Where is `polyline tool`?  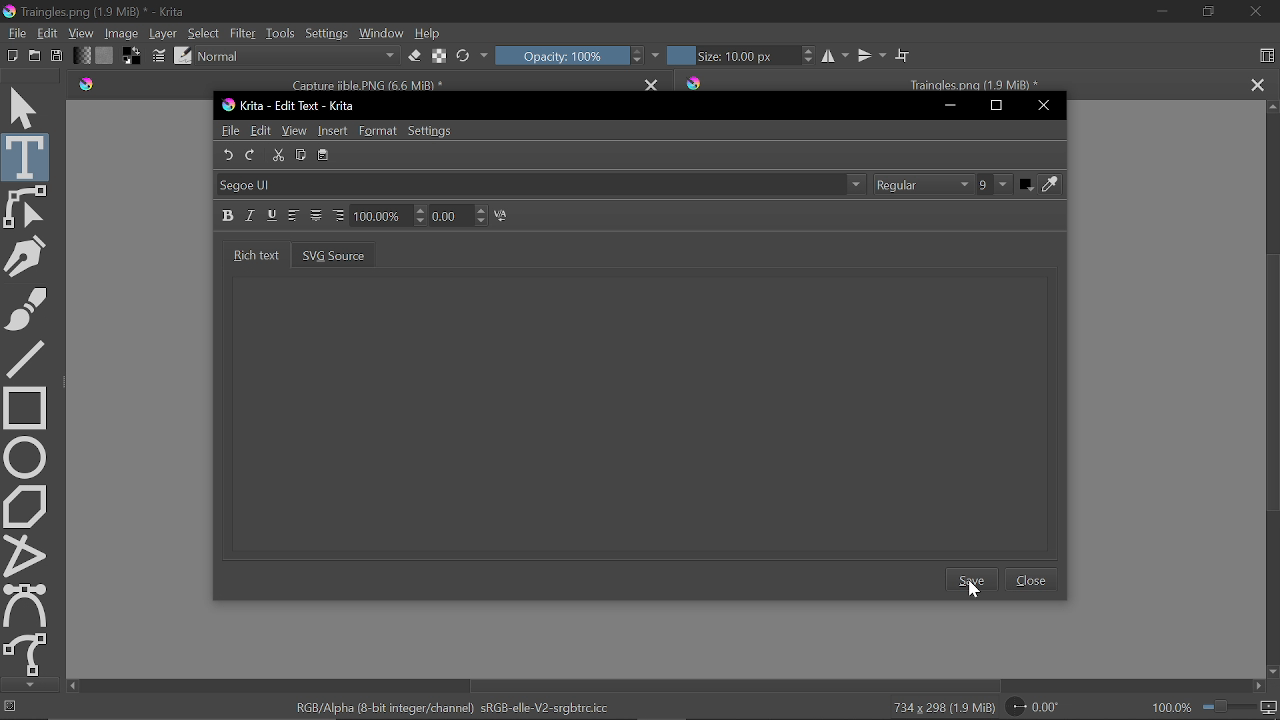 polyline tool is located at coordinates (27, 554).